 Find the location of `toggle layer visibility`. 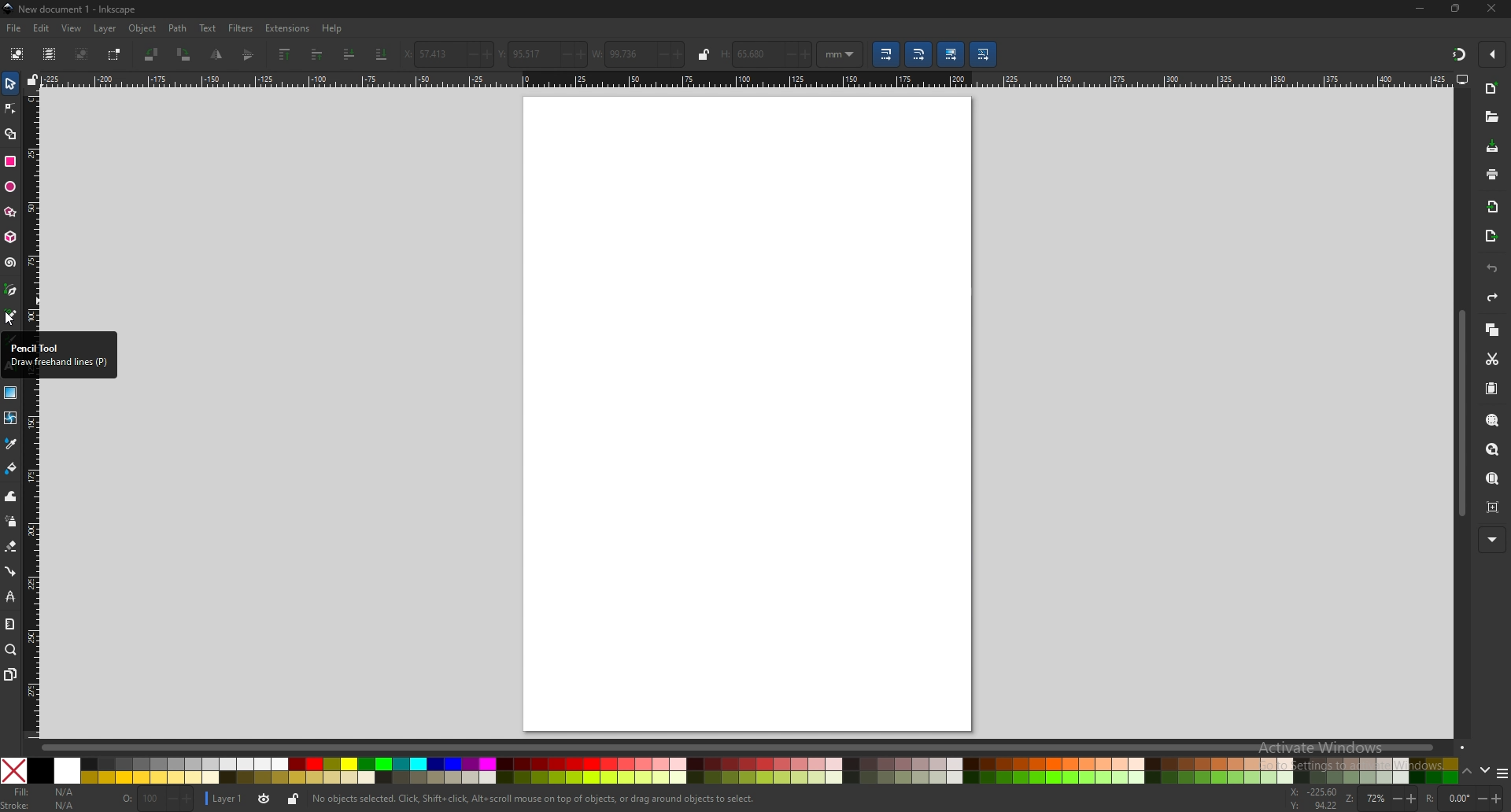

toggle layer visibility is located at coordinates (264, 799).